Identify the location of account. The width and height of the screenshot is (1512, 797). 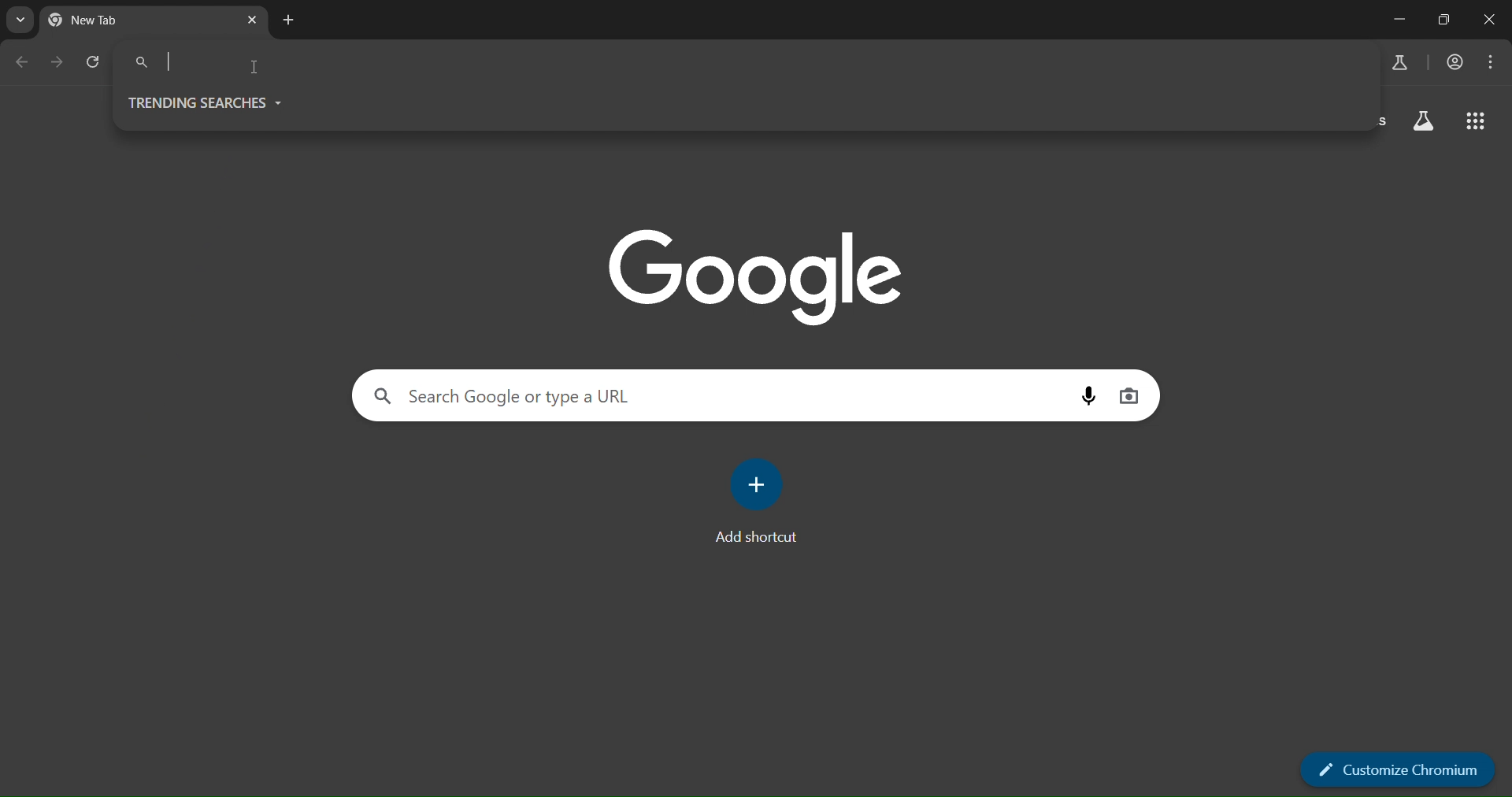
(1455, 65).